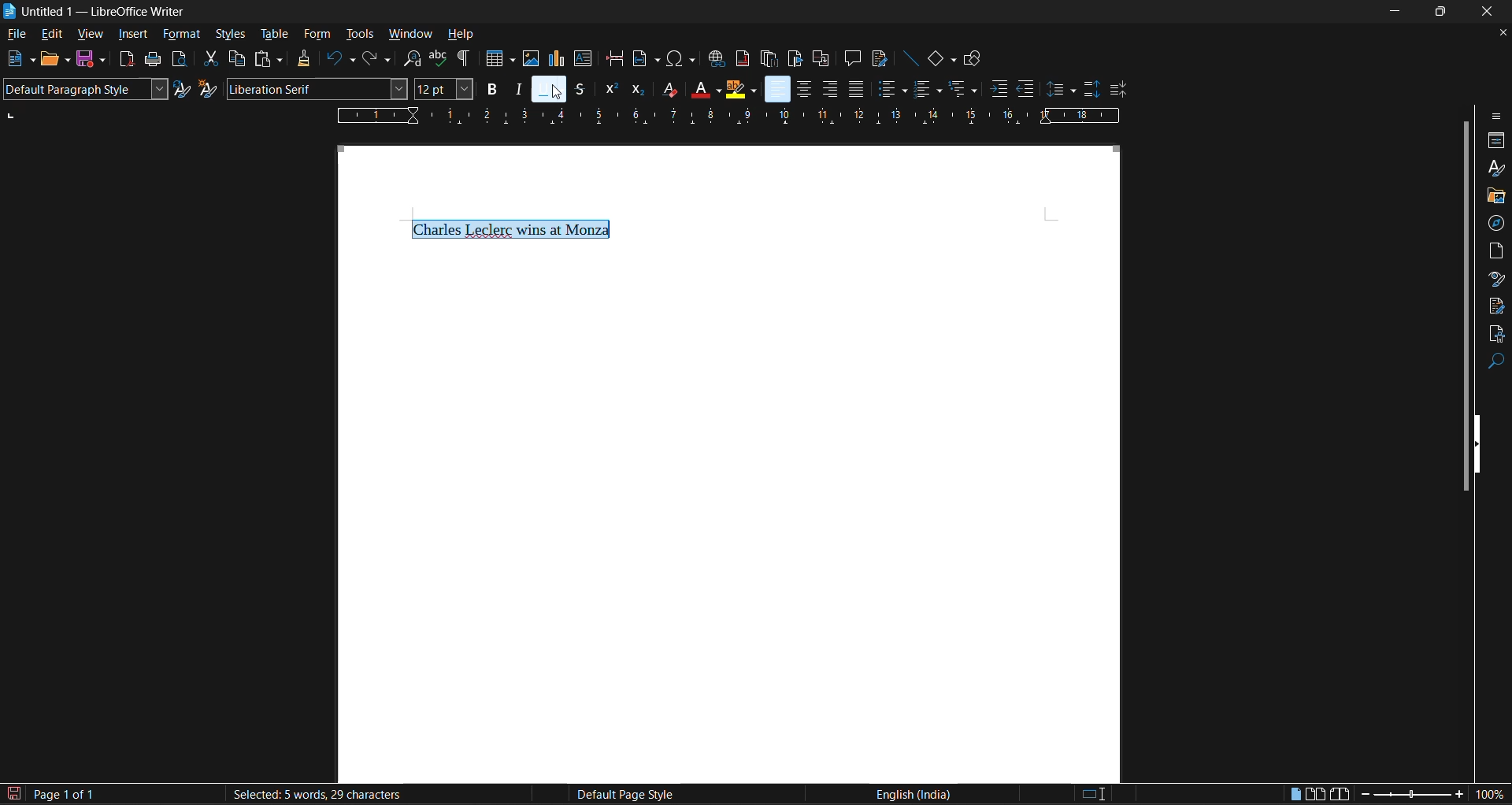  What do you see at coordinates (1061, 91) in the screenshot?
I see `set line spacing` at bounding box center [1061, 91].